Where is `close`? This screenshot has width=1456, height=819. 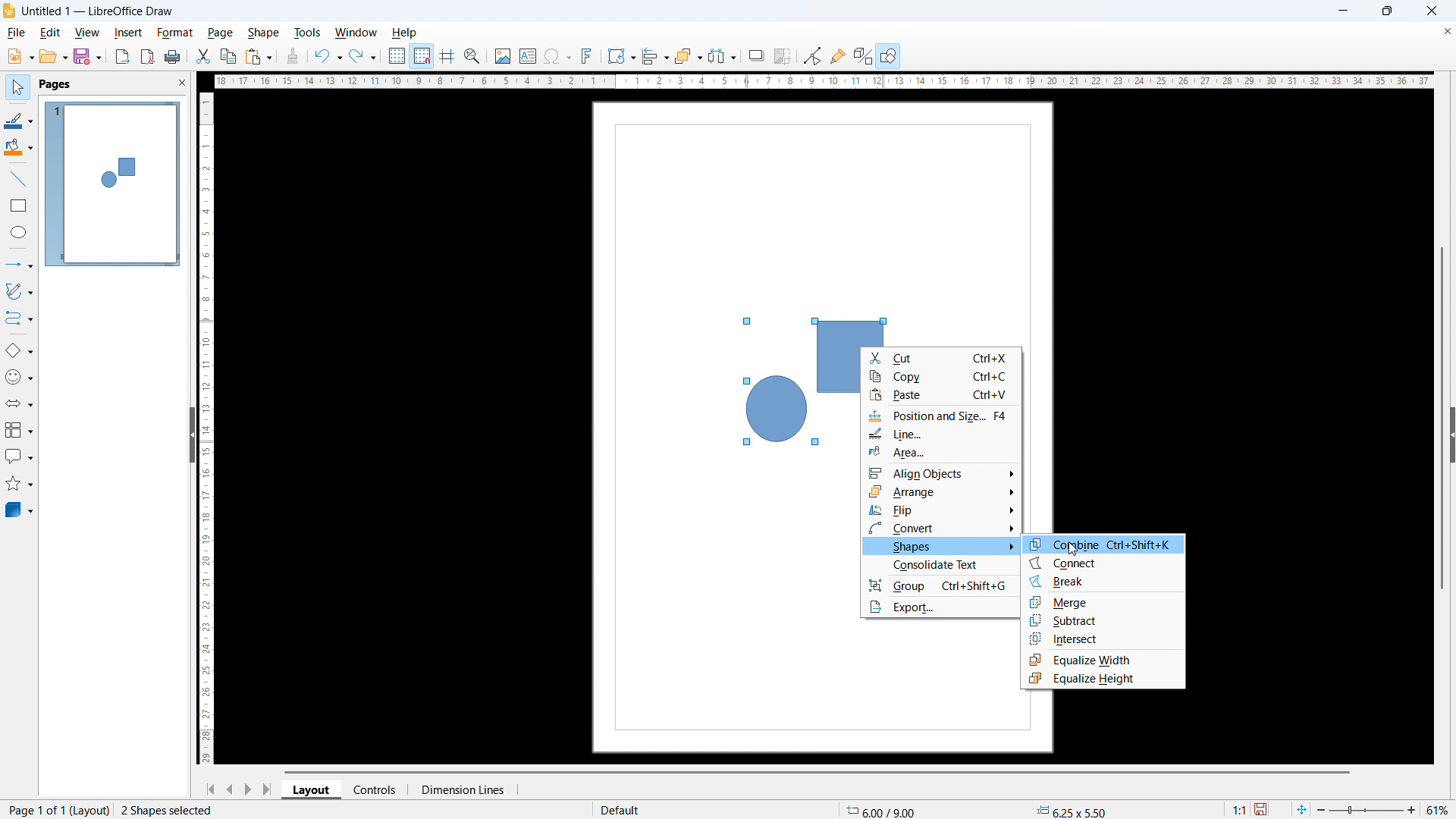 close is located at coordinates (1432, 11).